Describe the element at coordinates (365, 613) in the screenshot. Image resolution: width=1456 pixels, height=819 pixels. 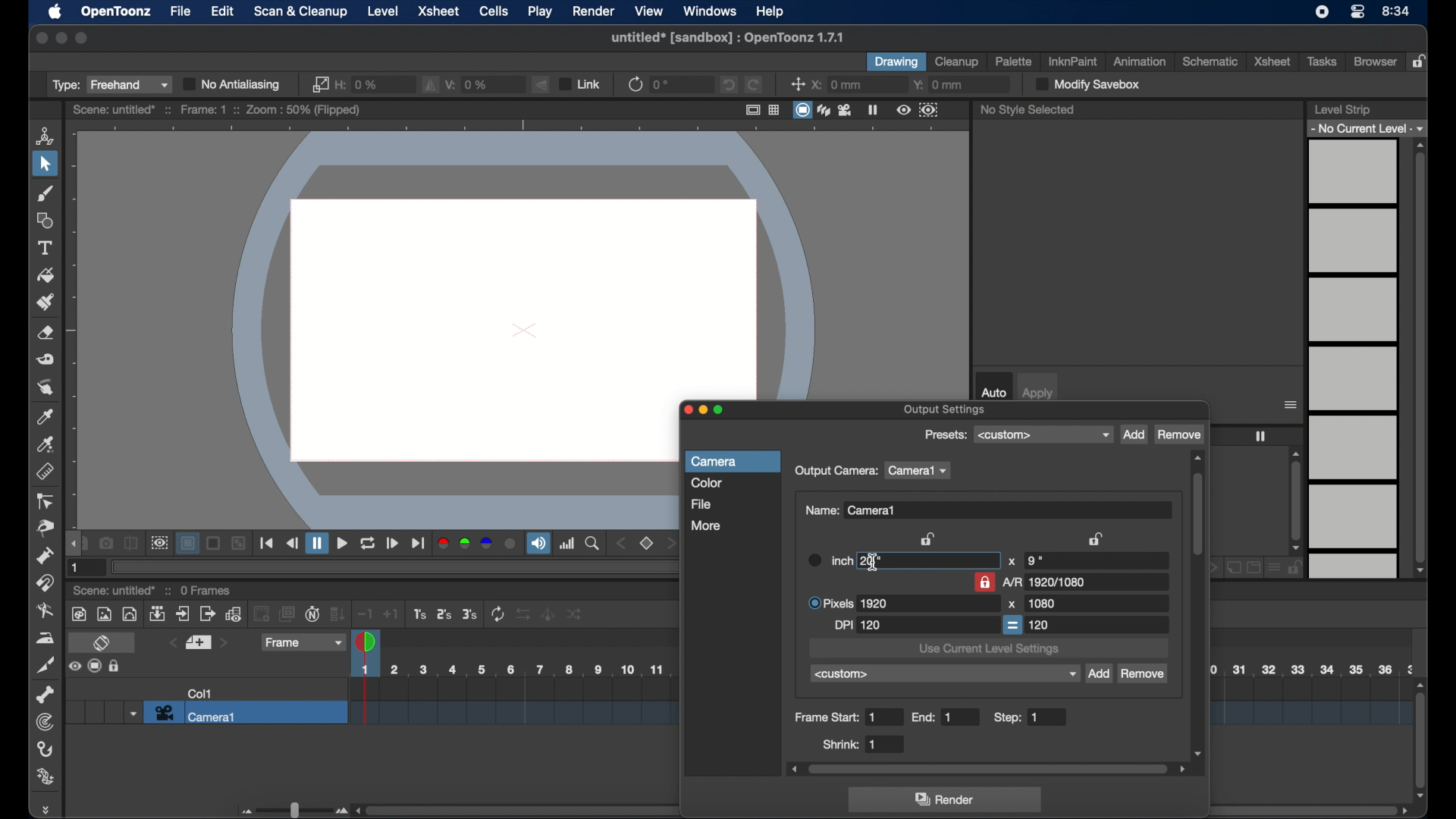
I see `` at that location.